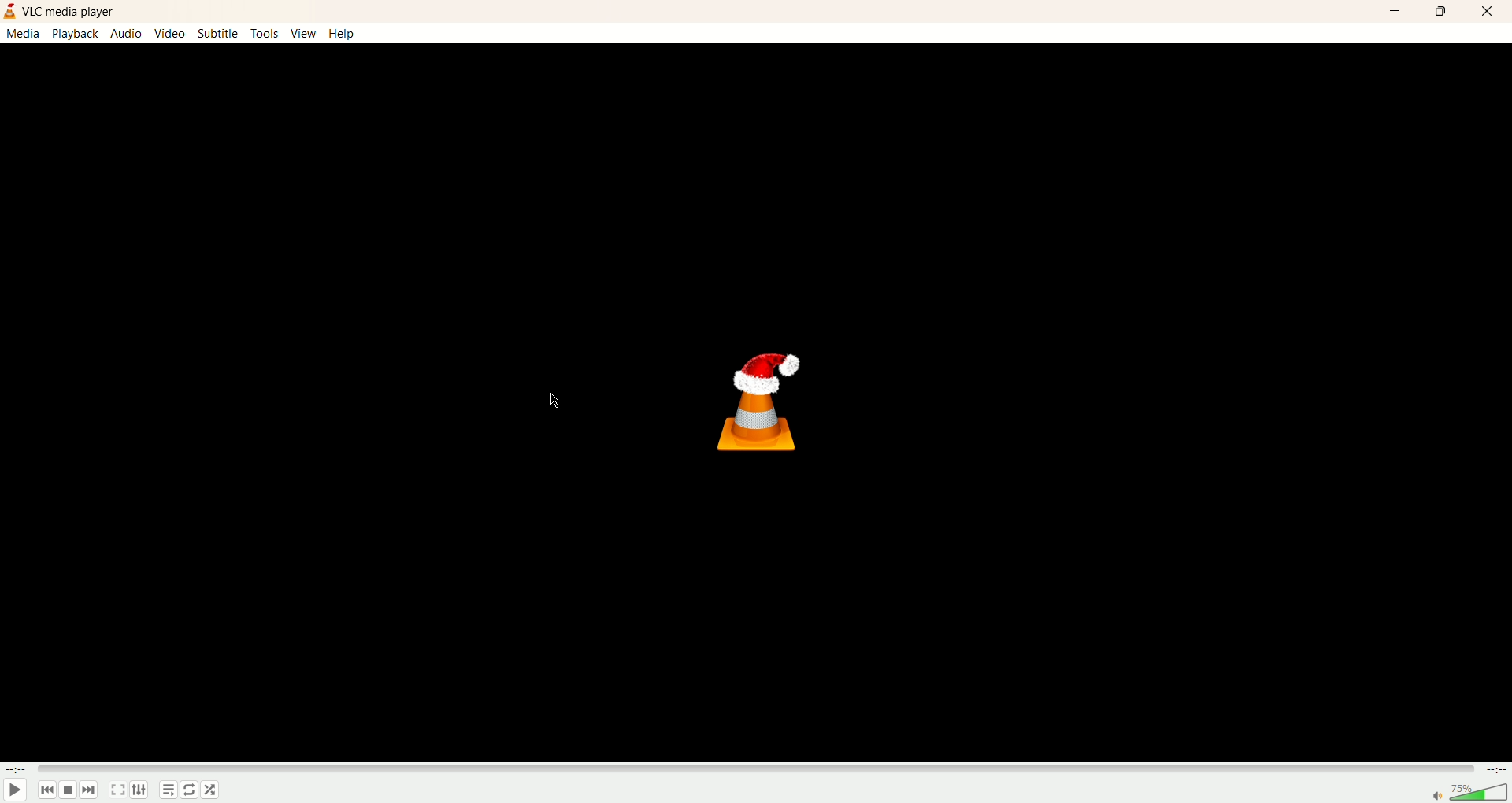 This screenshot has height=803, width=1512. I want to click on audio, so click(128, 33).